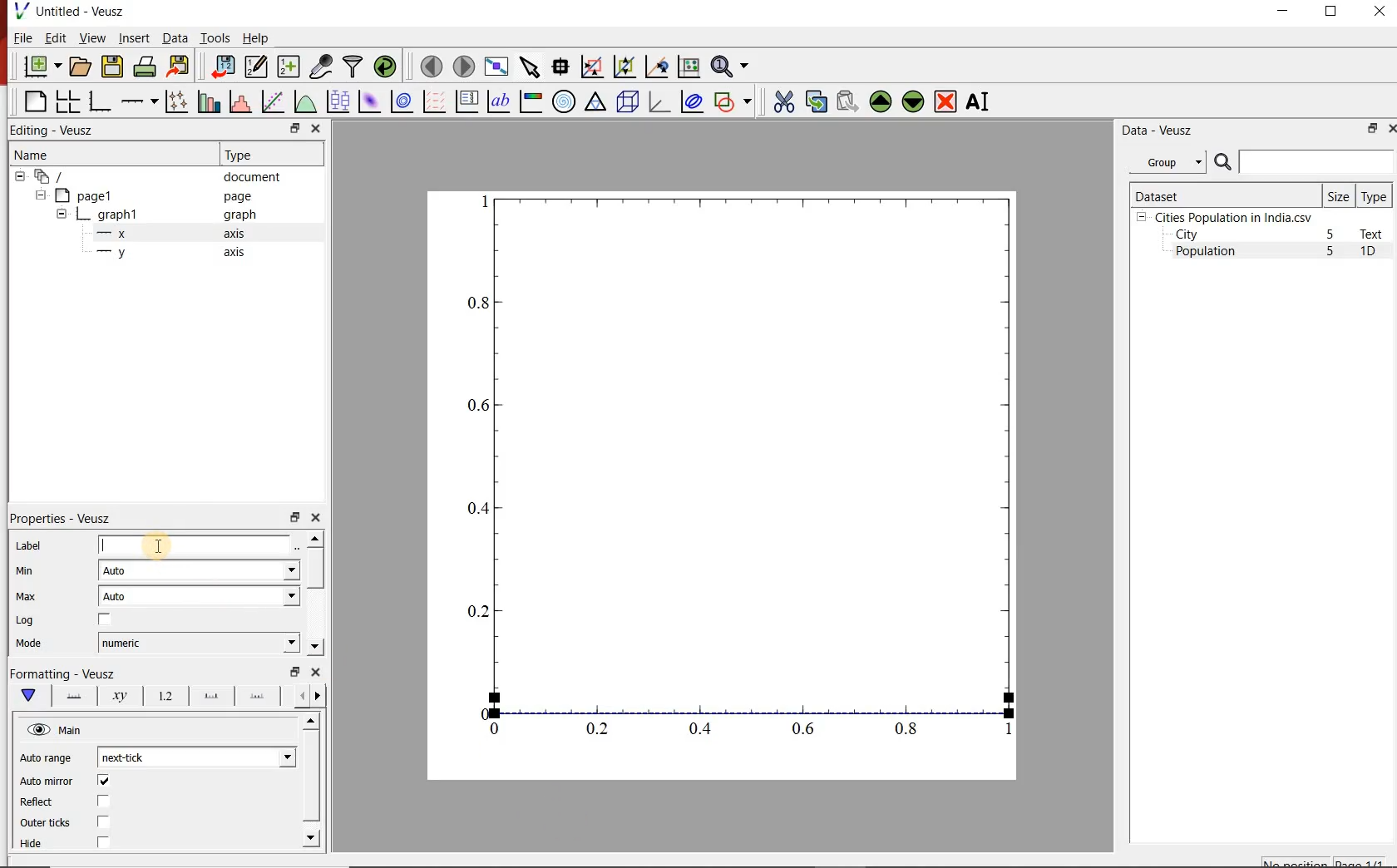 The width and height of the screenshot is (1397, 868). Describe the element at coordinates (304, 101) in the screenshot. I see `plot a function` at that location.